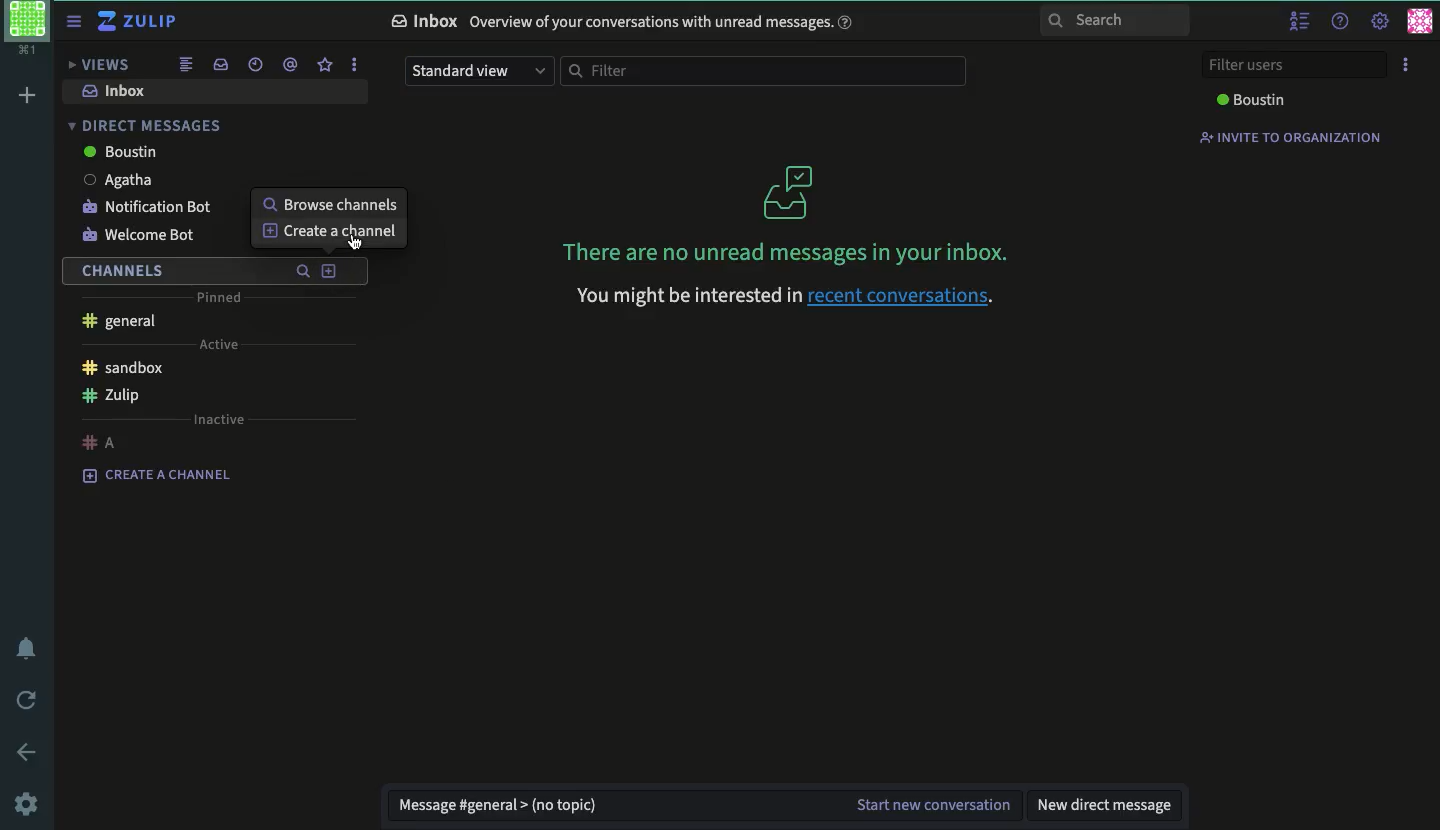 The width and height of the screenshot is (1440, 830). Describe the element at coordinates (1291, 138) in the screenshot. I see `invite to organization` at that location.